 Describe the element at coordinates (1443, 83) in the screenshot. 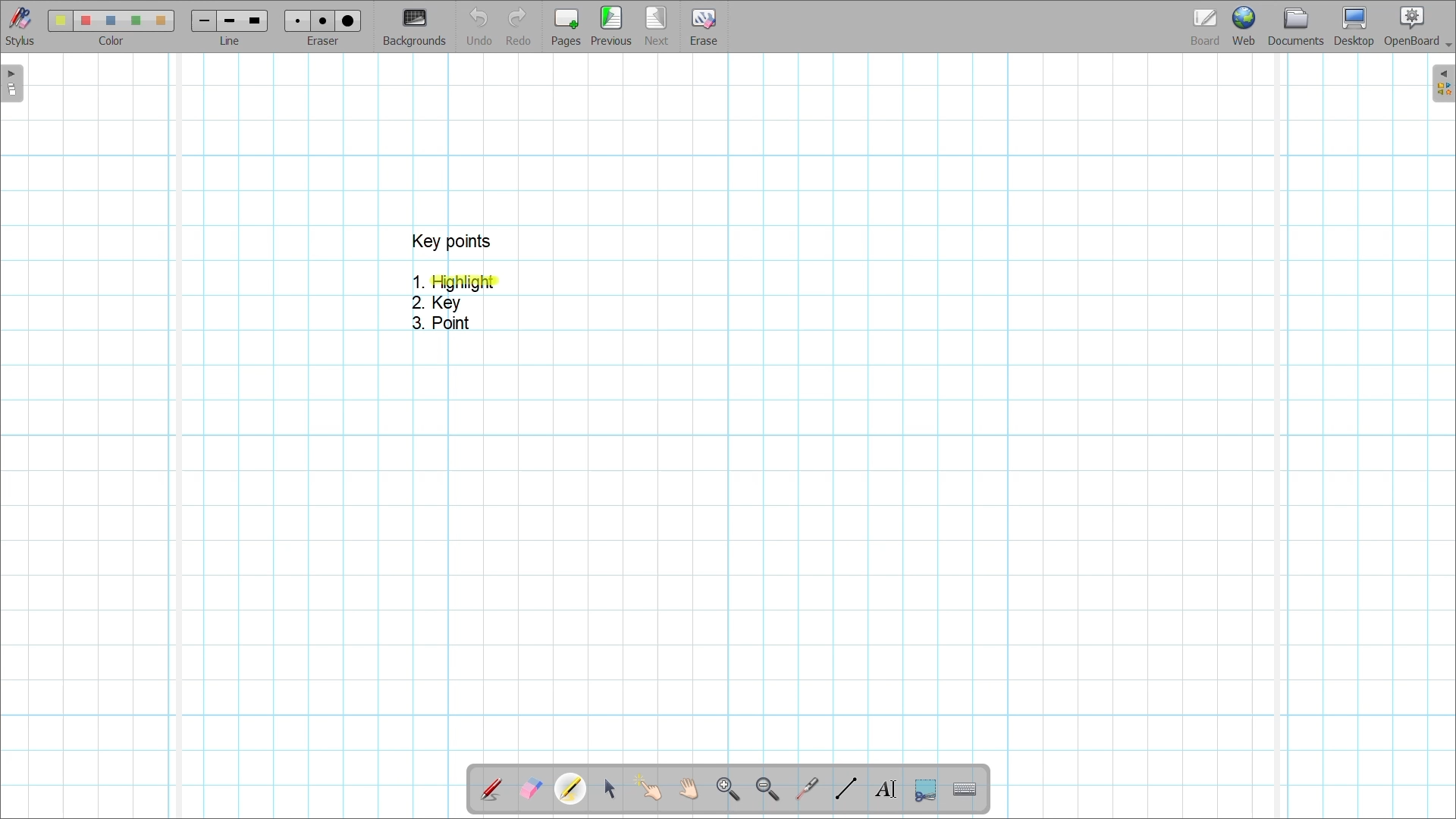

I see `Right sidebar` at that location.